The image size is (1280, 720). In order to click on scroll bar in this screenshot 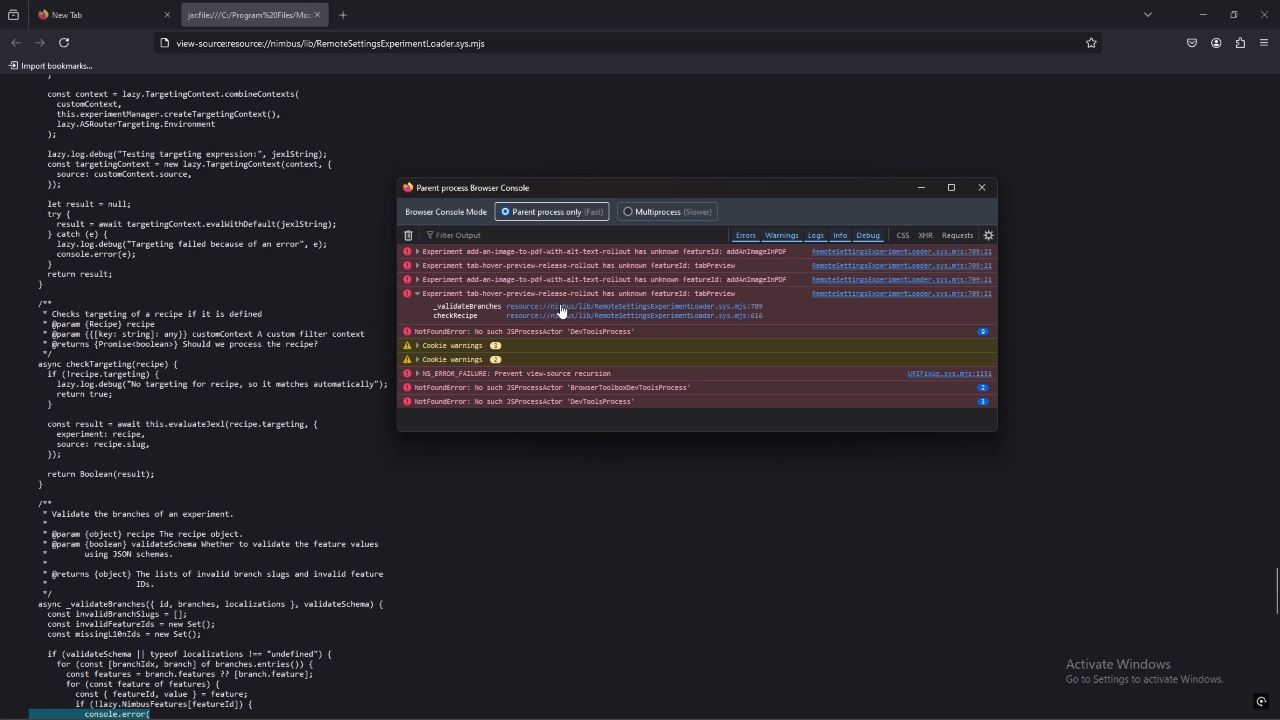, I will do `click(1280, 592)`.